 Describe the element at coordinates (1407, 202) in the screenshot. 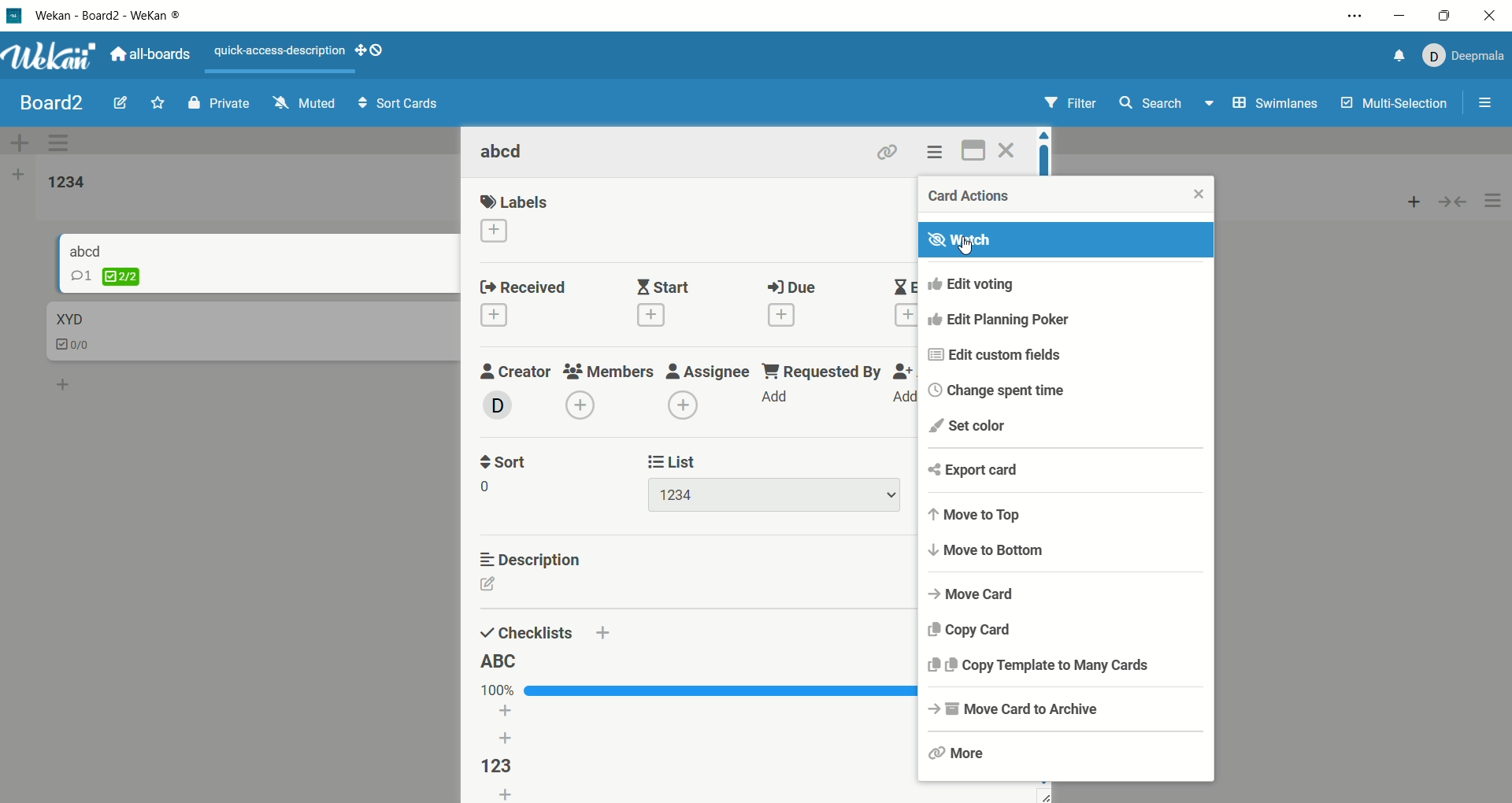

I see `add` at that location.